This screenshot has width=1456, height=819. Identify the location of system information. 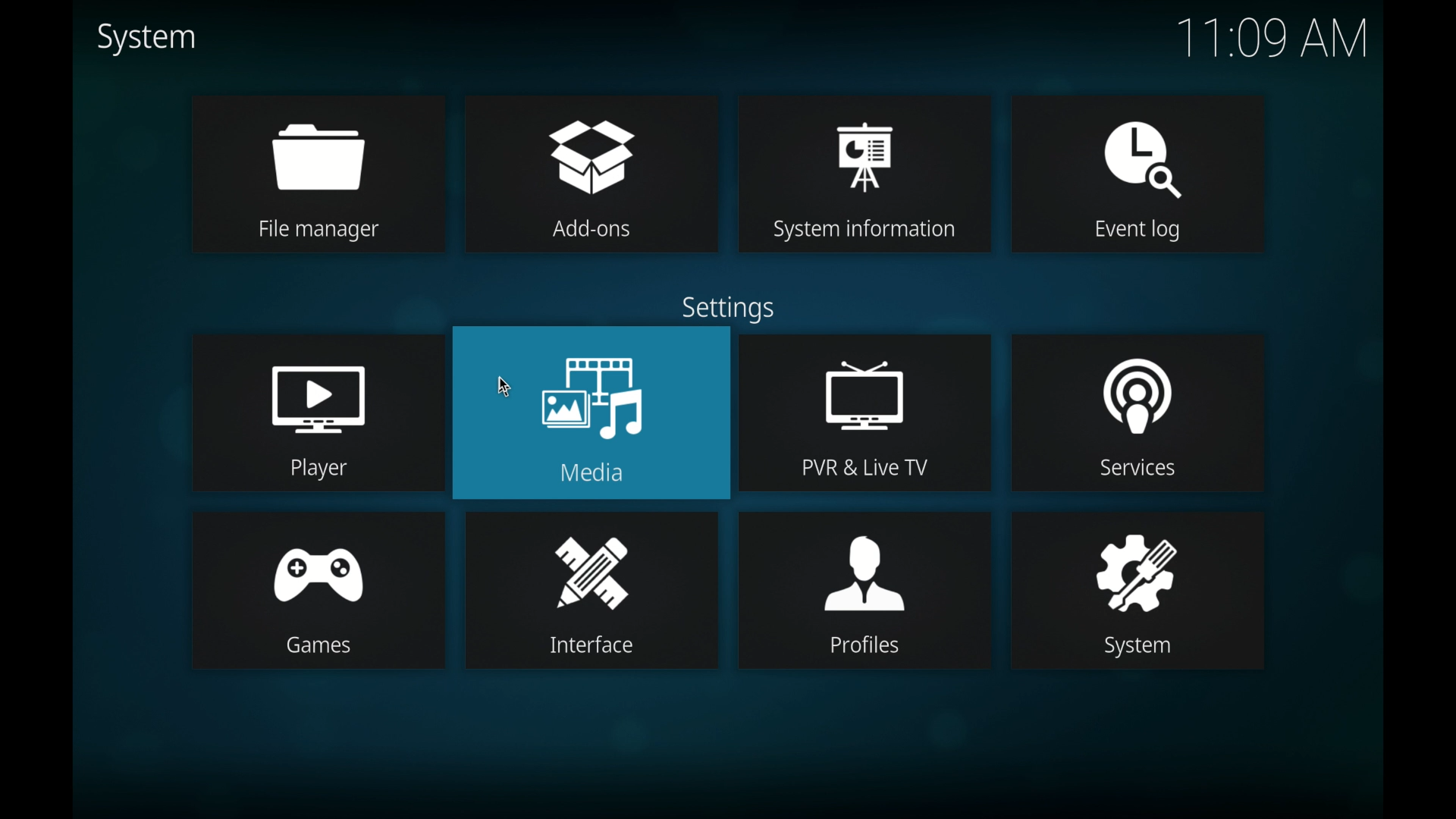
(864, 172).